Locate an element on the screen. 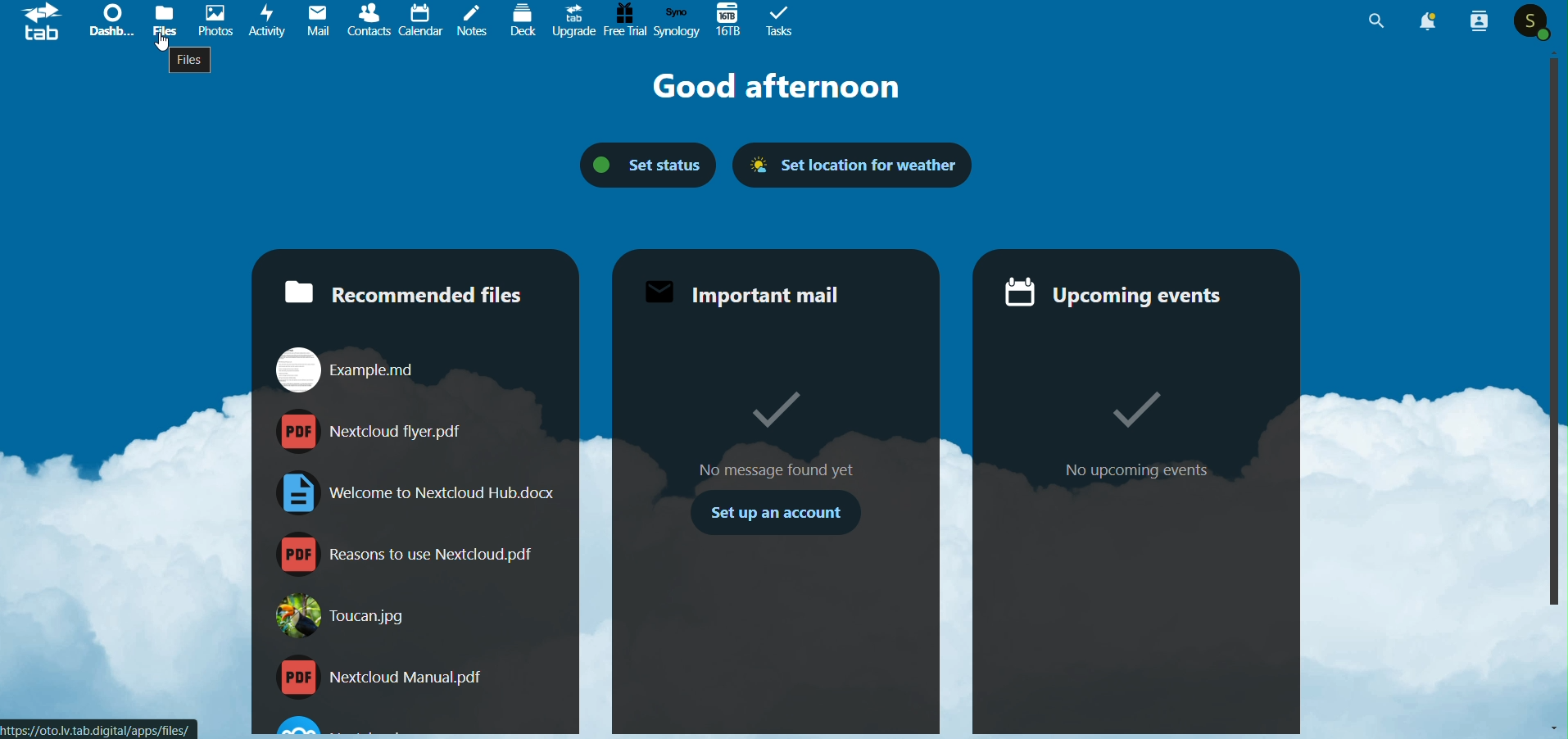 This screenshot has width=1568, height=739. Deck is located at coordinates (525, 22).